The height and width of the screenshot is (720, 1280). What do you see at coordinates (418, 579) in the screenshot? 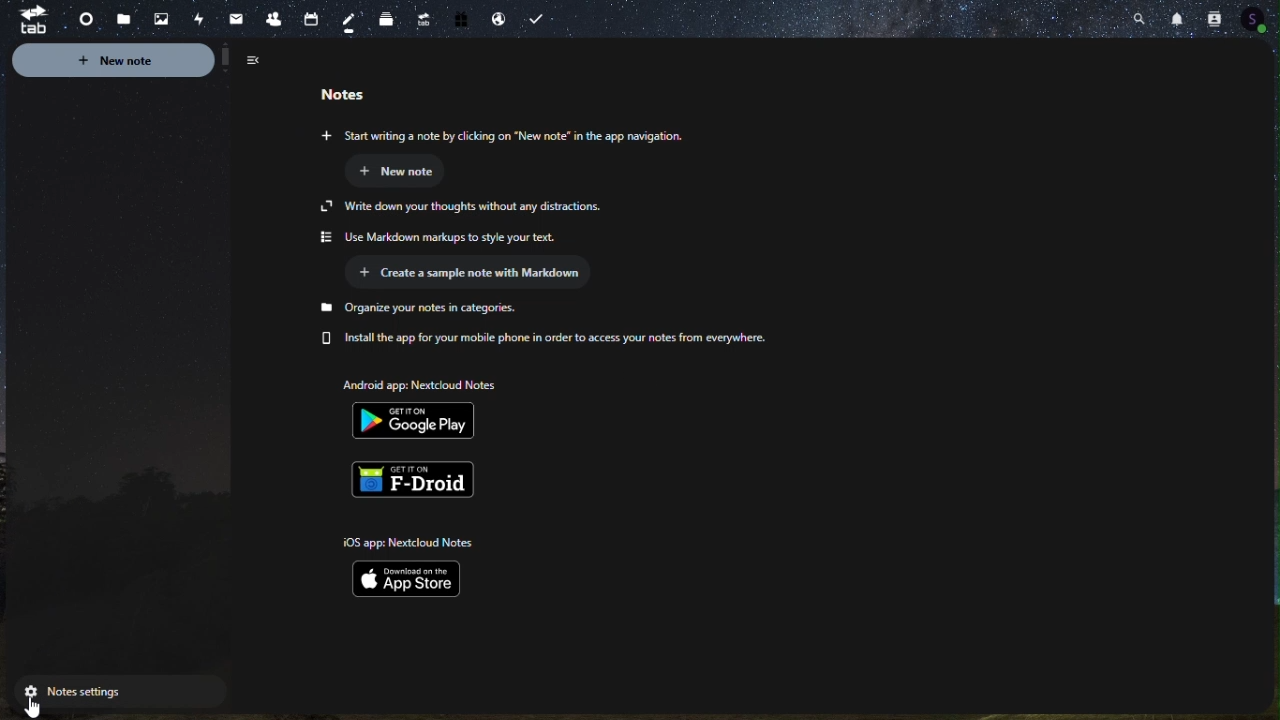
I see `ios App Store` at bounding box center [418, 579].